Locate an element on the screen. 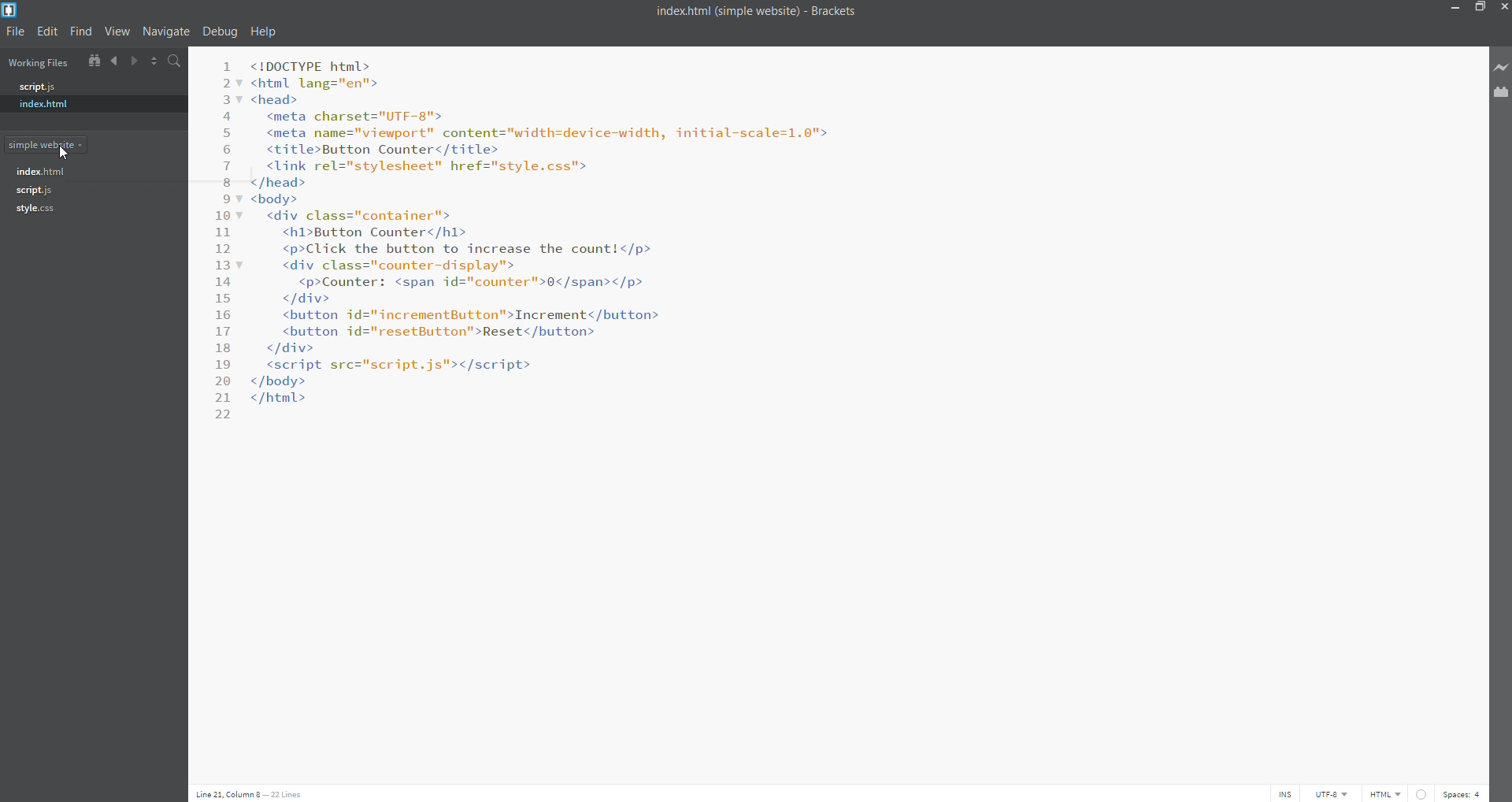  index.html is located at coordinates (42, 173).